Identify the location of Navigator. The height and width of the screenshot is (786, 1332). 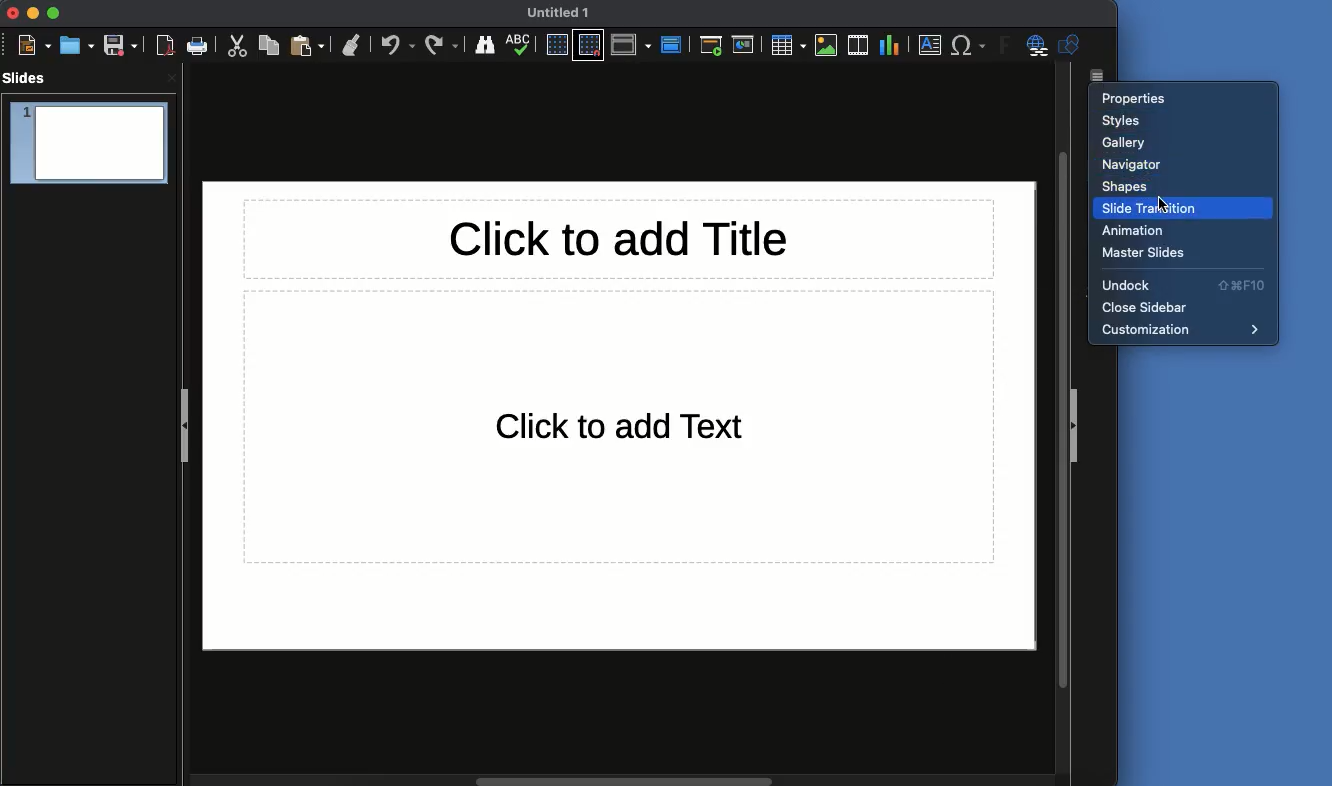
(1134, 164).